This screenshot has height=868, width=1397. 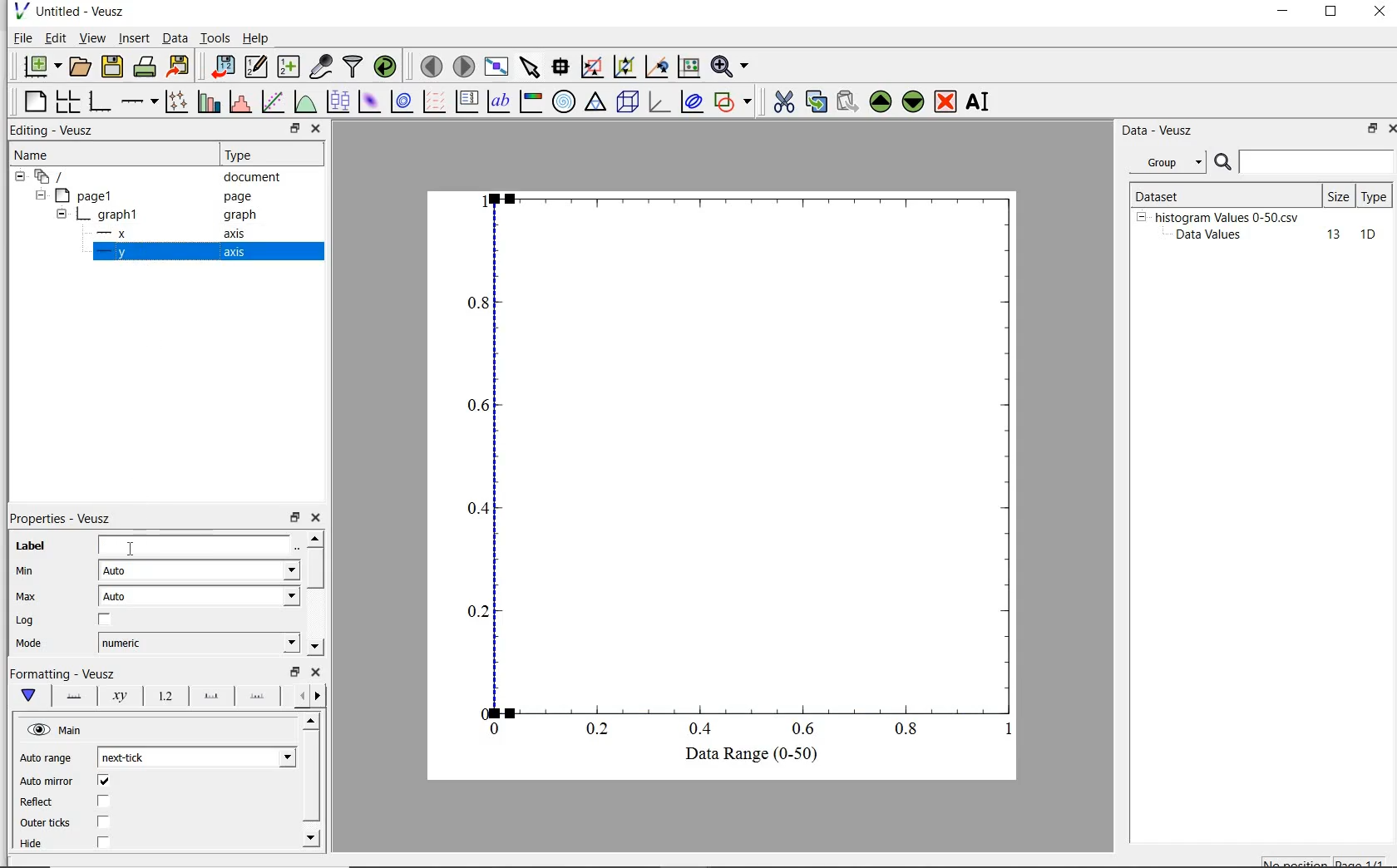 I want to click on move down the selected widget, so click(x=913, y=104).